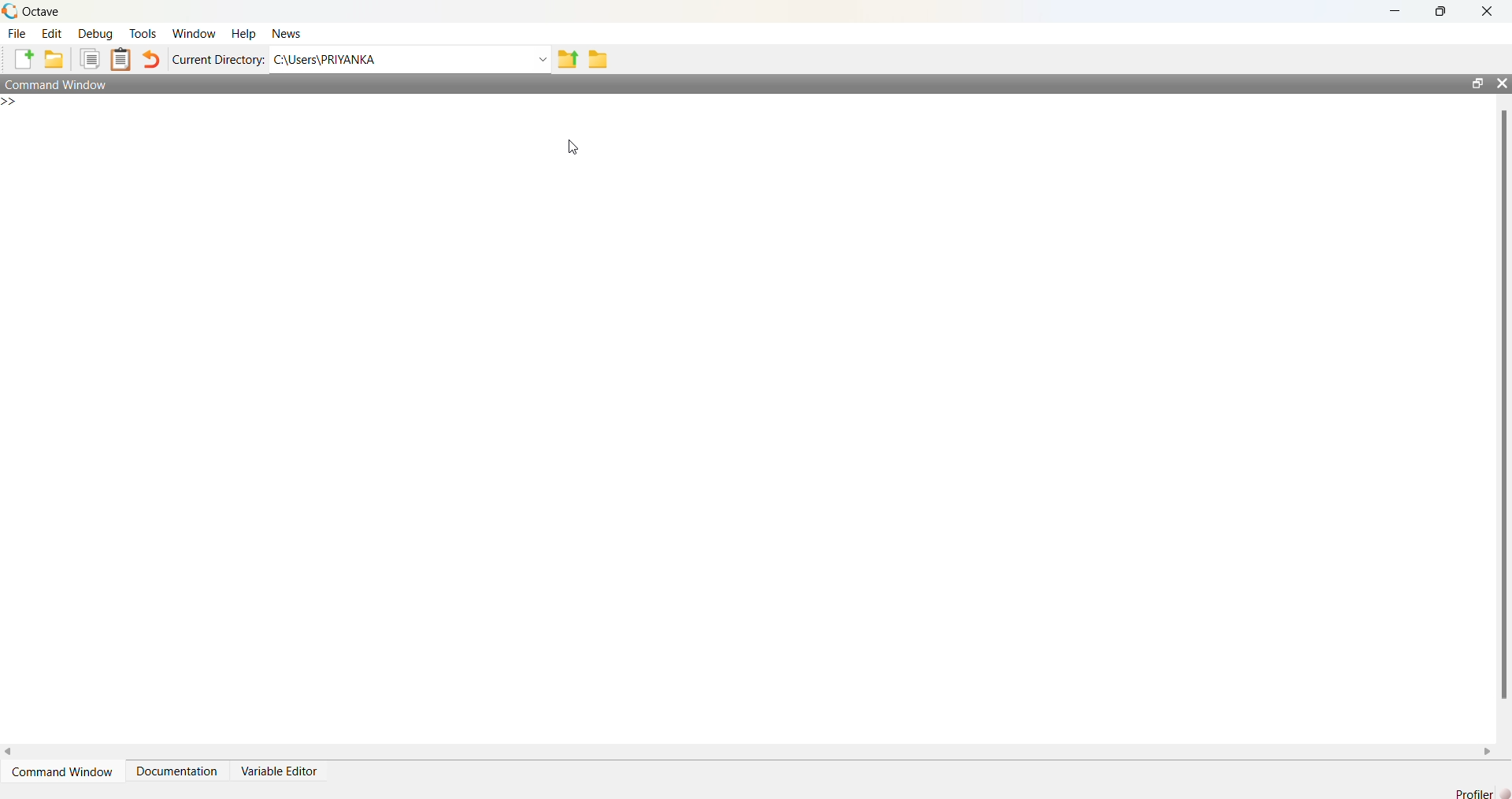 This screenshot has height=799, width=1512. What do you see at coordinates (1487, 10) in the screenshot?
I see `close` at bounding box center [1487, 10].